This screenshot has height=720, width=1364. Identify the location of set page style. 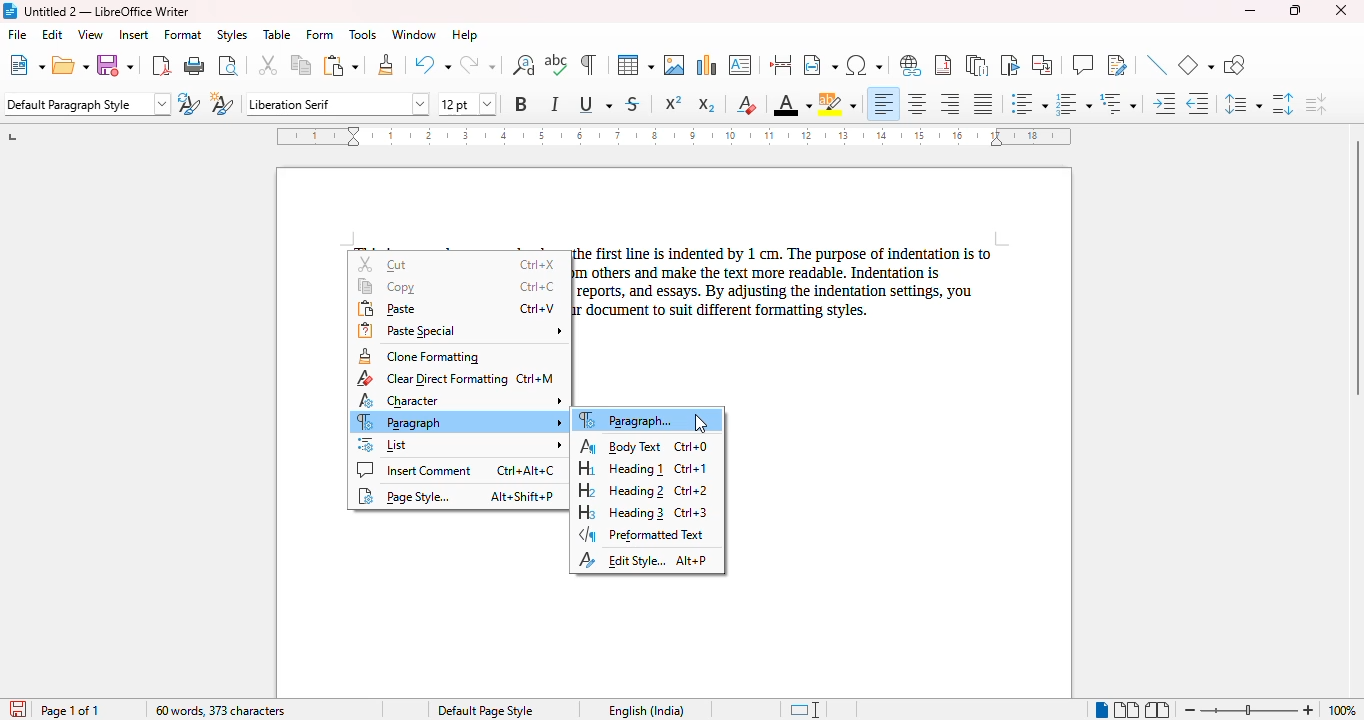
(87, 104).